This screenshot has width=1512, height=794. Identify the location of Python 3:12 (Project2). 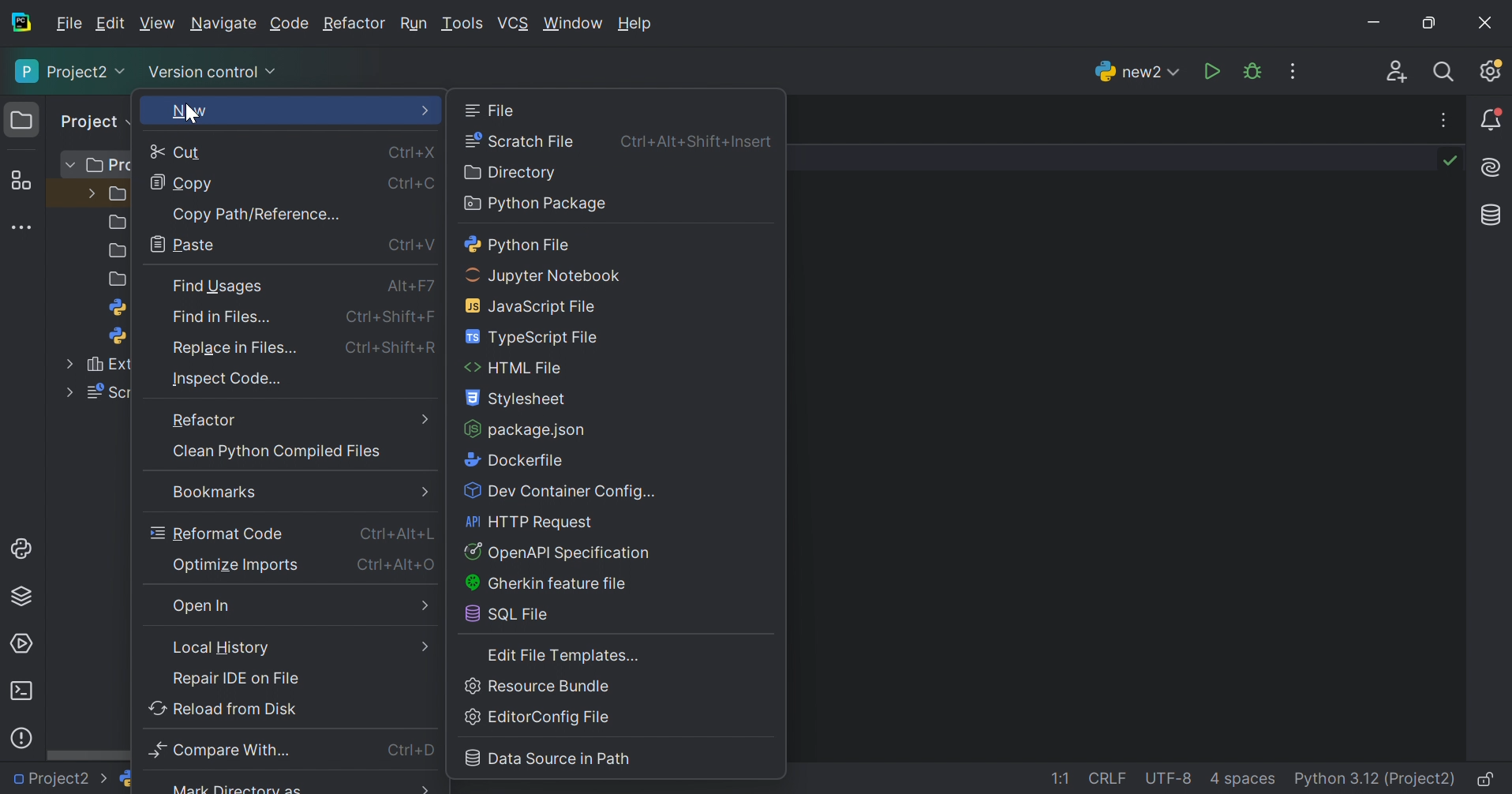
(1376, 780).